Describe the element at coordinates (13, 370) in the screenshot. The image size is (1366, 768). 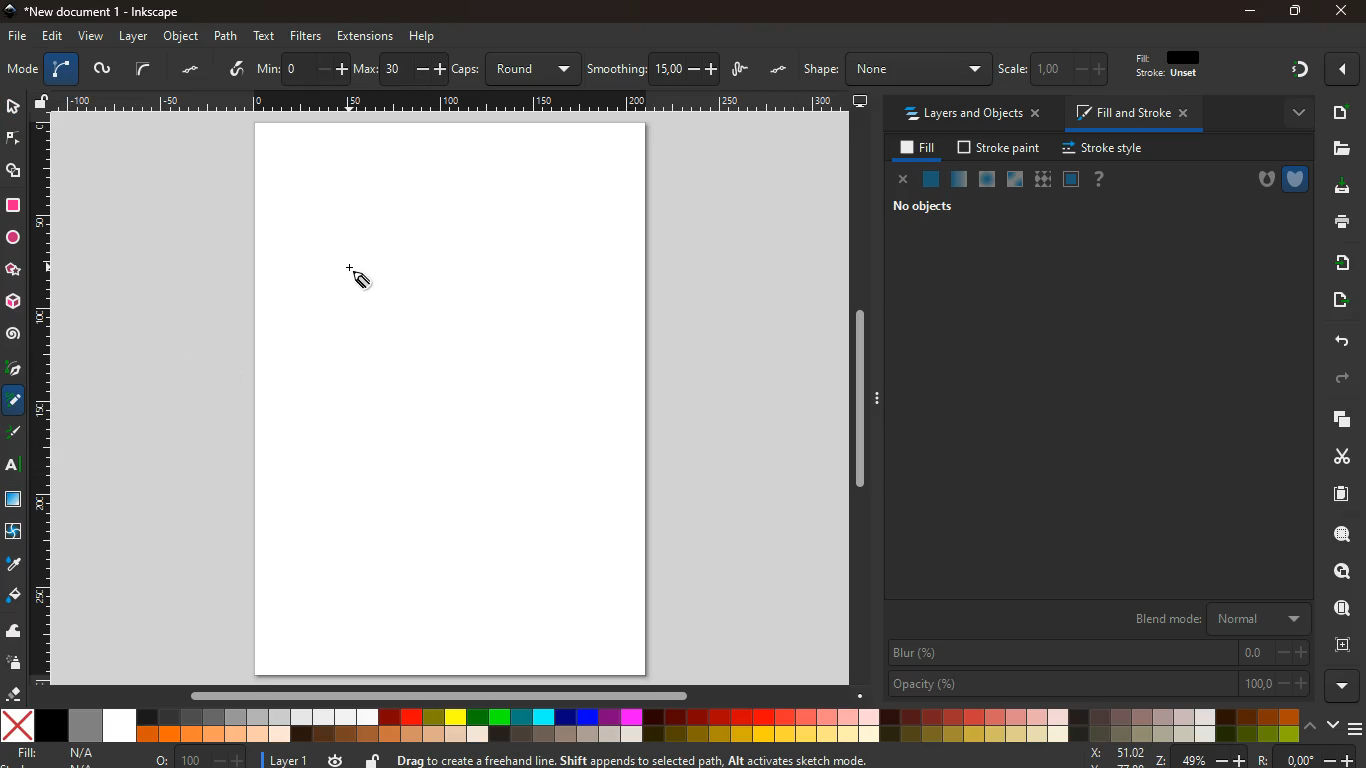
I see `pick` at that location.